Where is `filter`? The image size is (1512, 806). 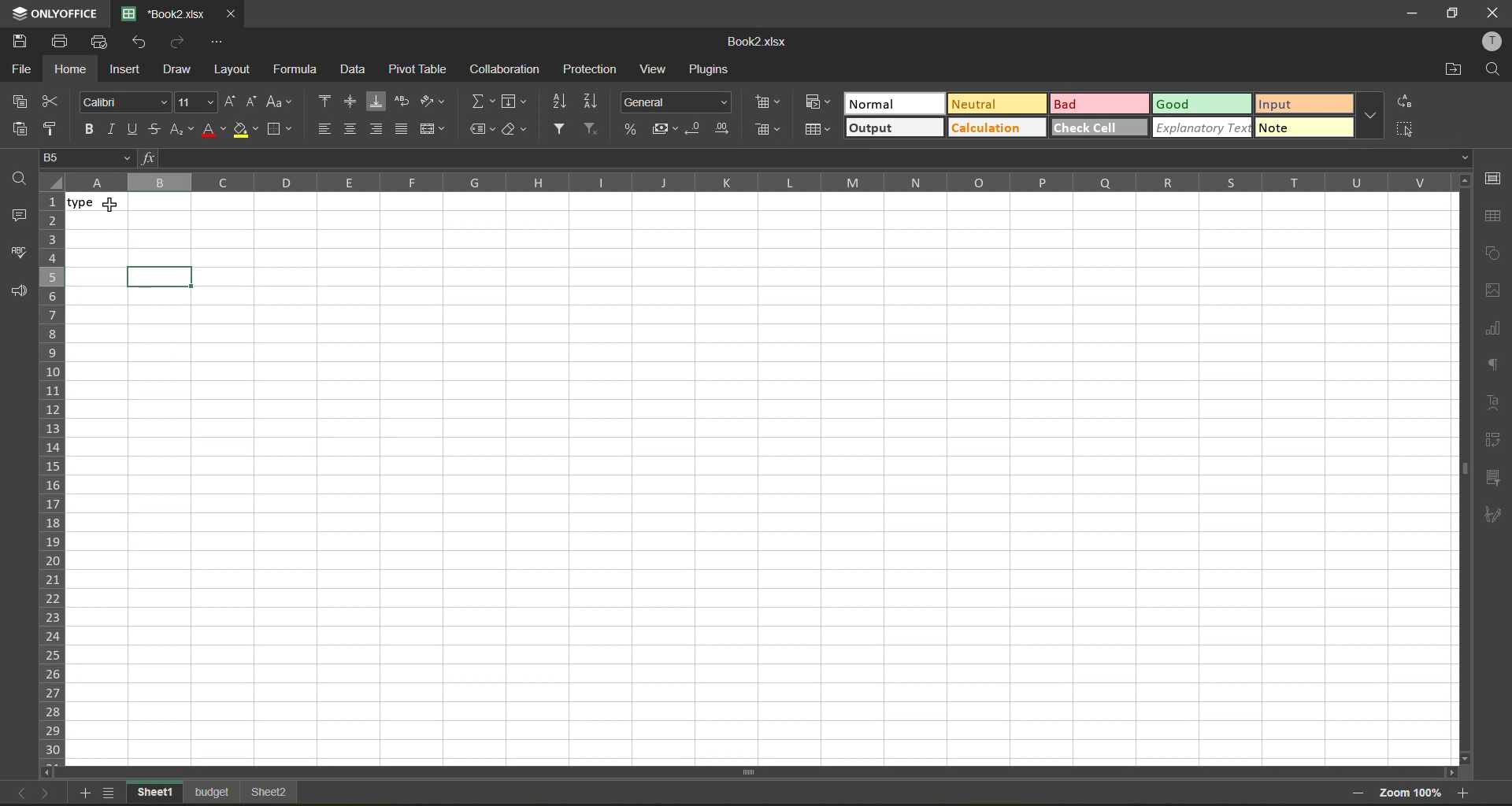 filter is located at coordinates (561, 130).